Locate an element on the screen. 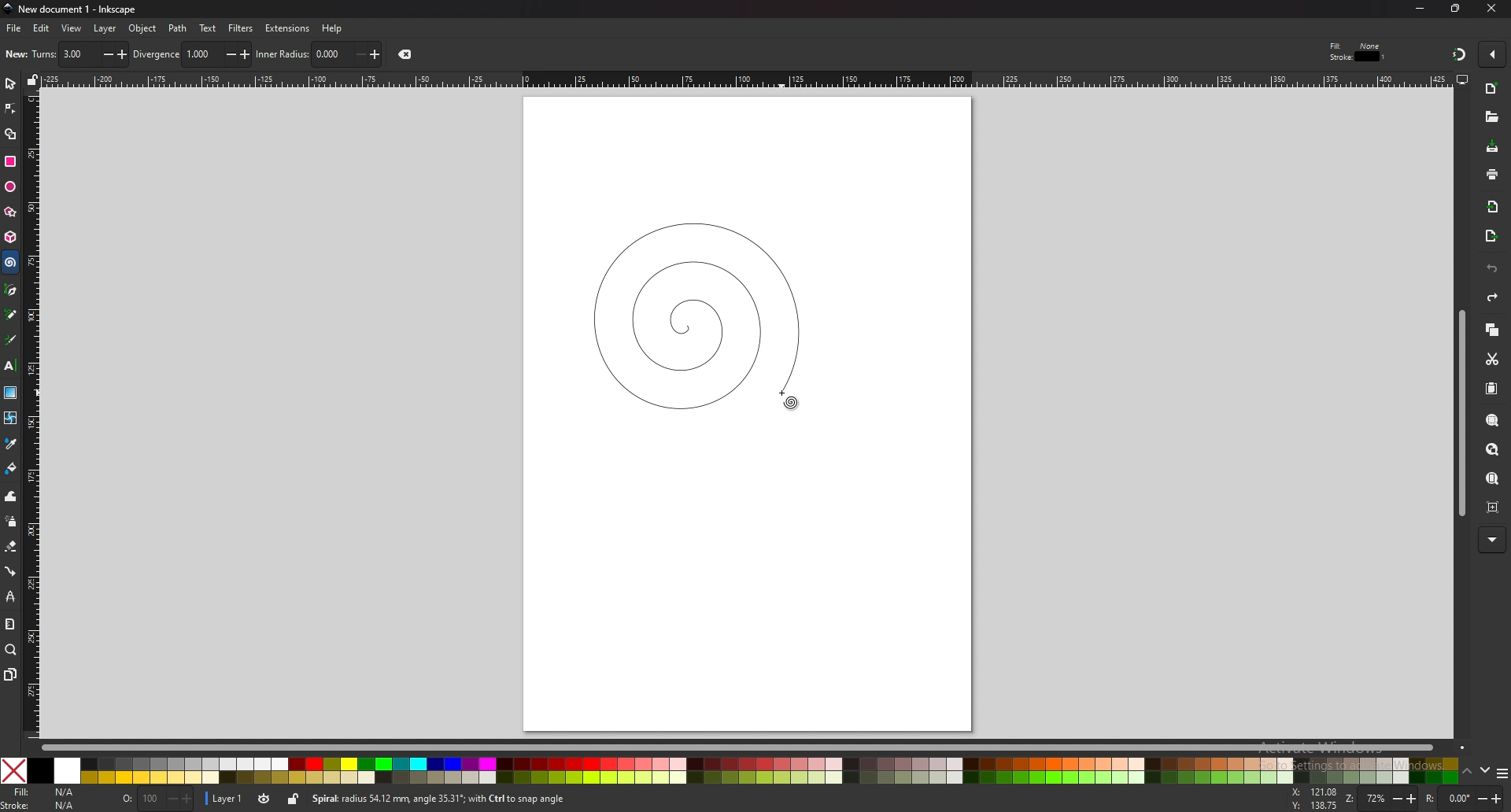  resize is located at coordinates (1456, 9).